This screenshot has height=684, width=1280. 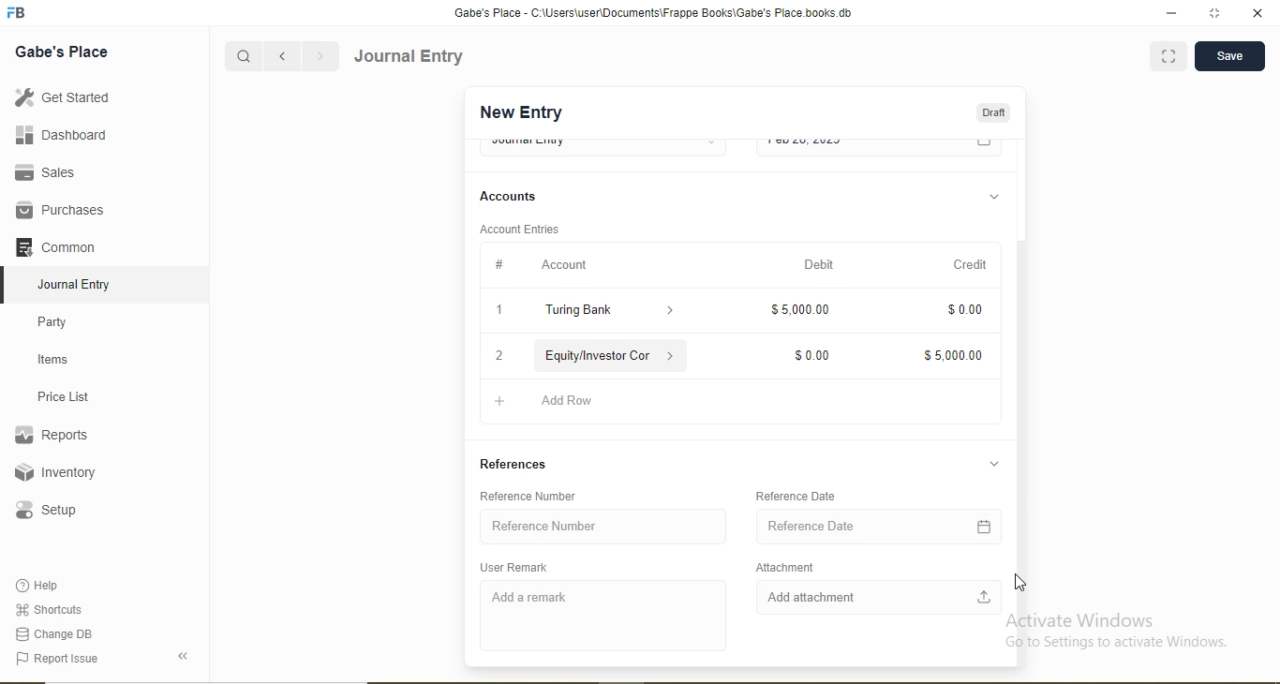 I want to click on close, so click(x=1259, y=13).